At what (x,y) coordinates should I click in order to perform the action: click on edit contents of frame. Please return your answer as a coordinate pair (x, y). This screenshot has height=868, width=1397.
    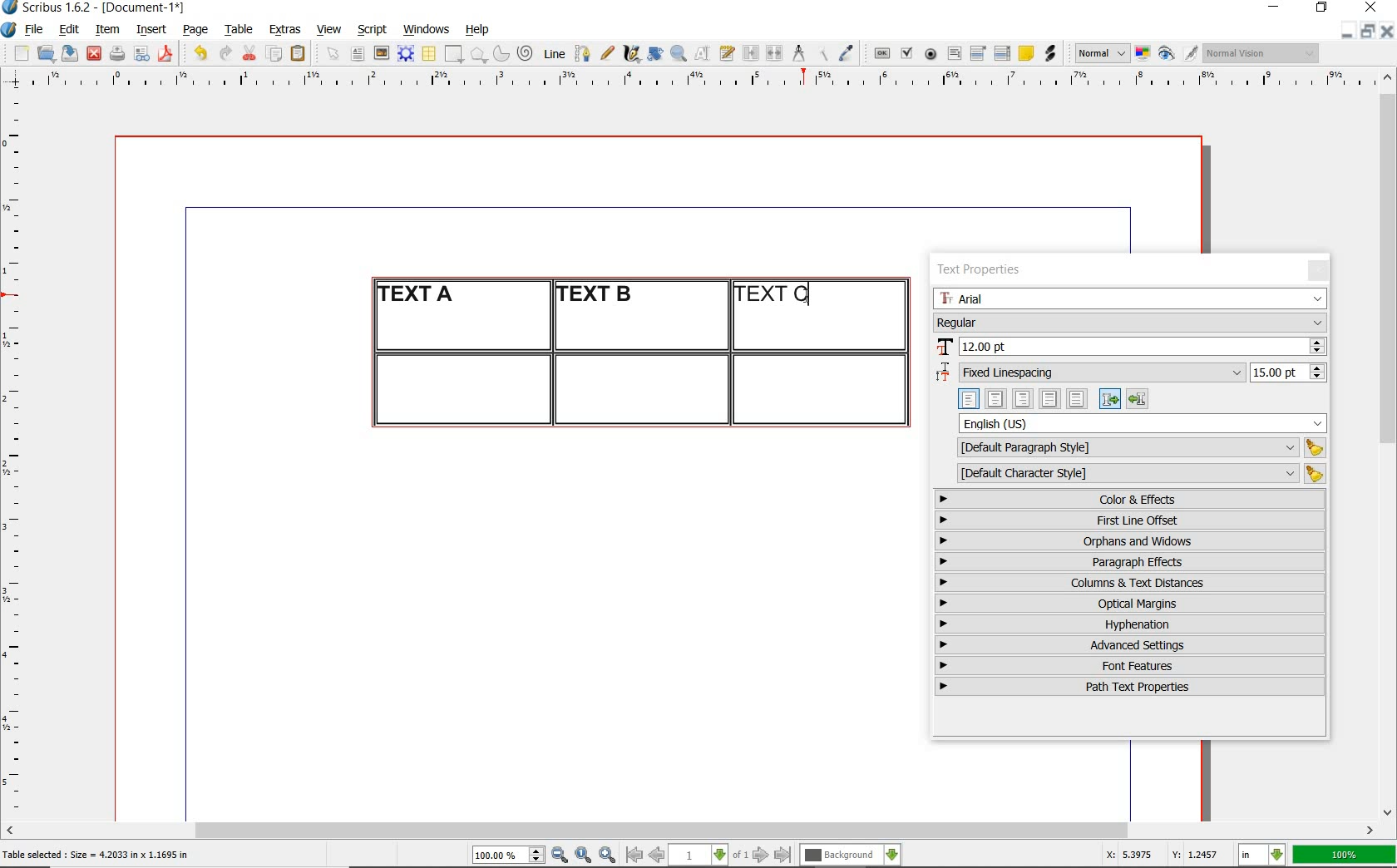
    Looking at the image, I should click on (703, 52).